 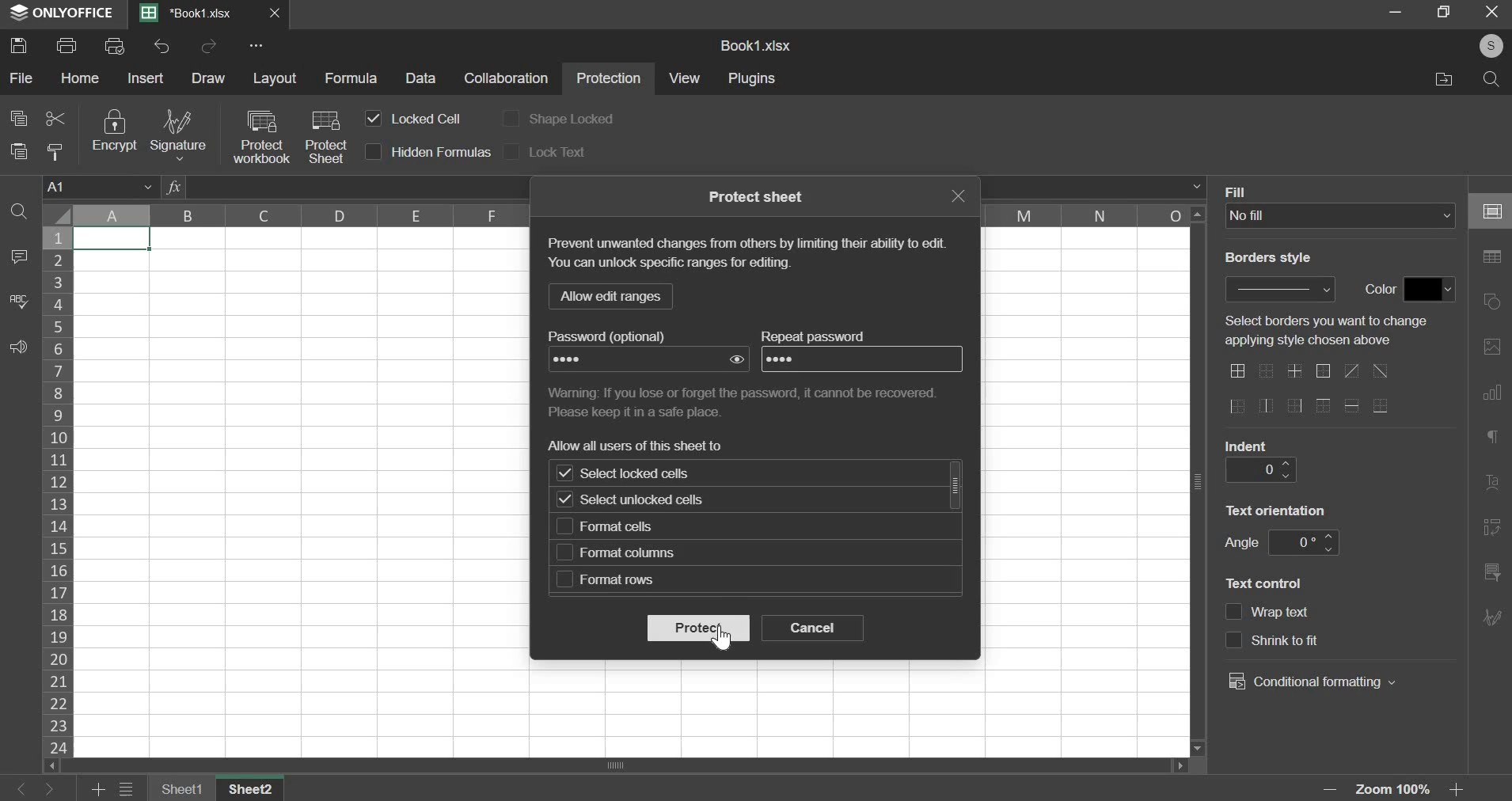 I want to click on zoom in, so click(x=1461, y=790).